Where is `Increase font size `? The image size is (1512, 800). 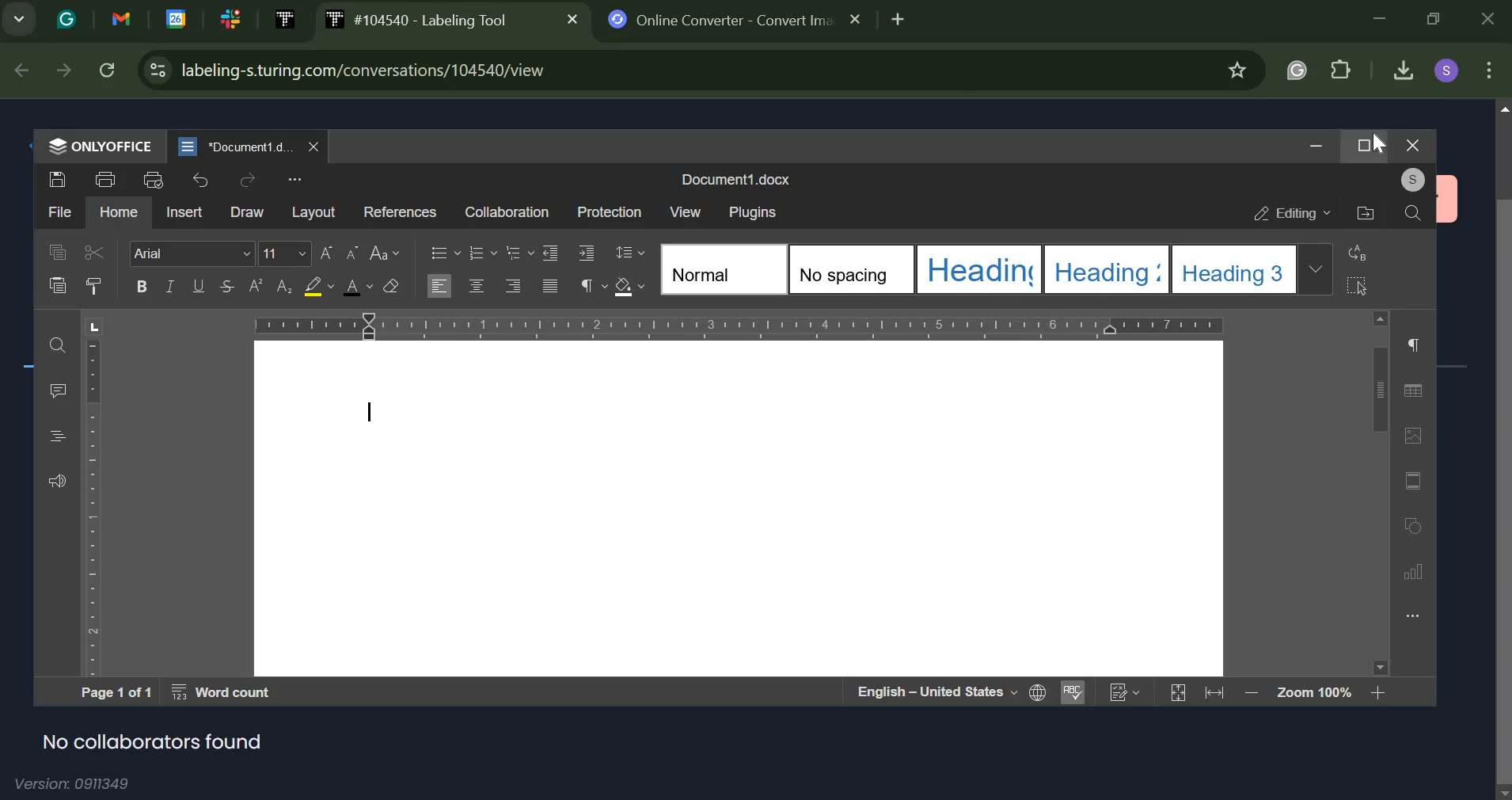
Increase font size  is located at coordinates (325, 253).